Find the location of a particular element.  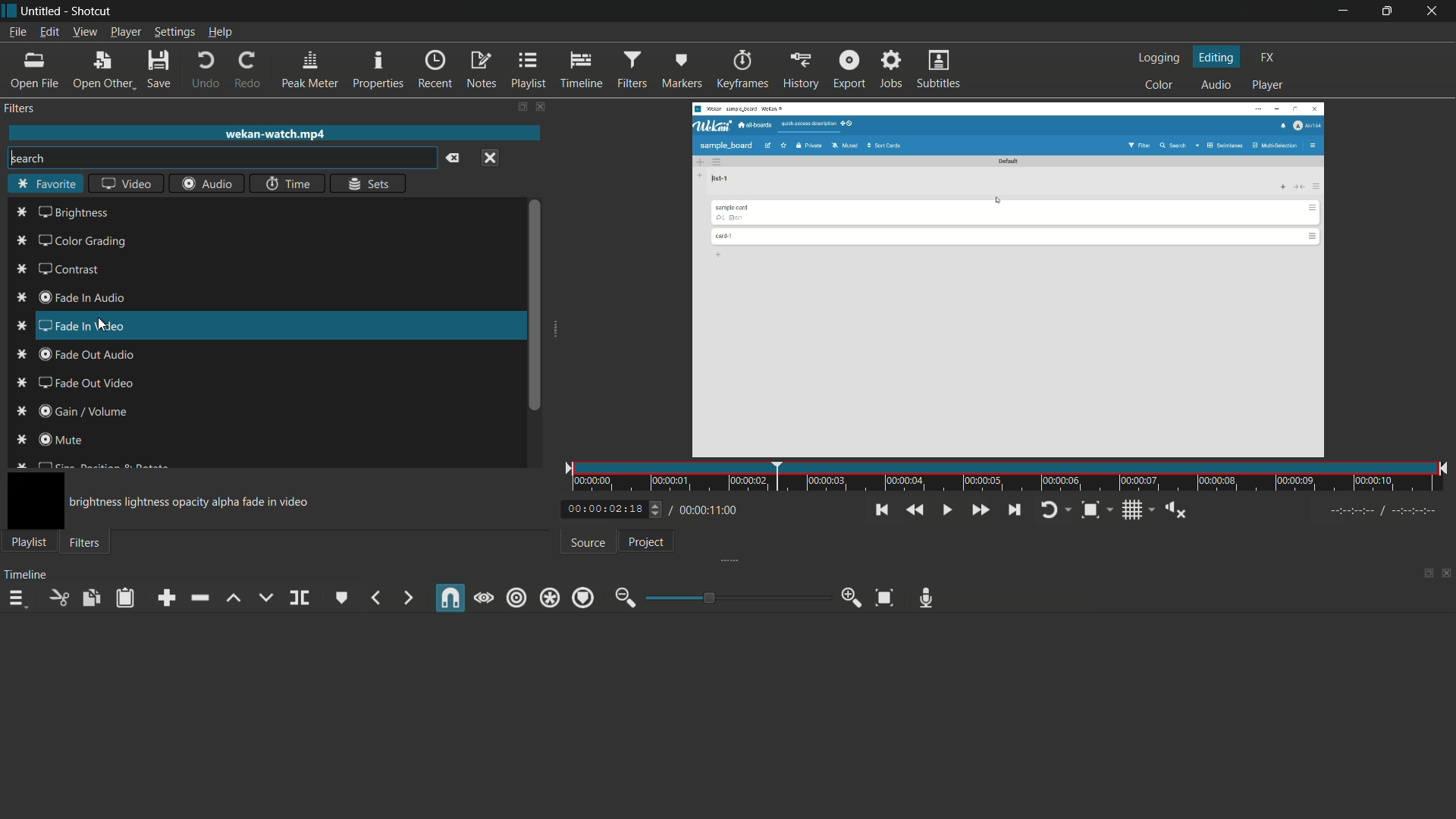

playlist is located at coordinates (527, 71).